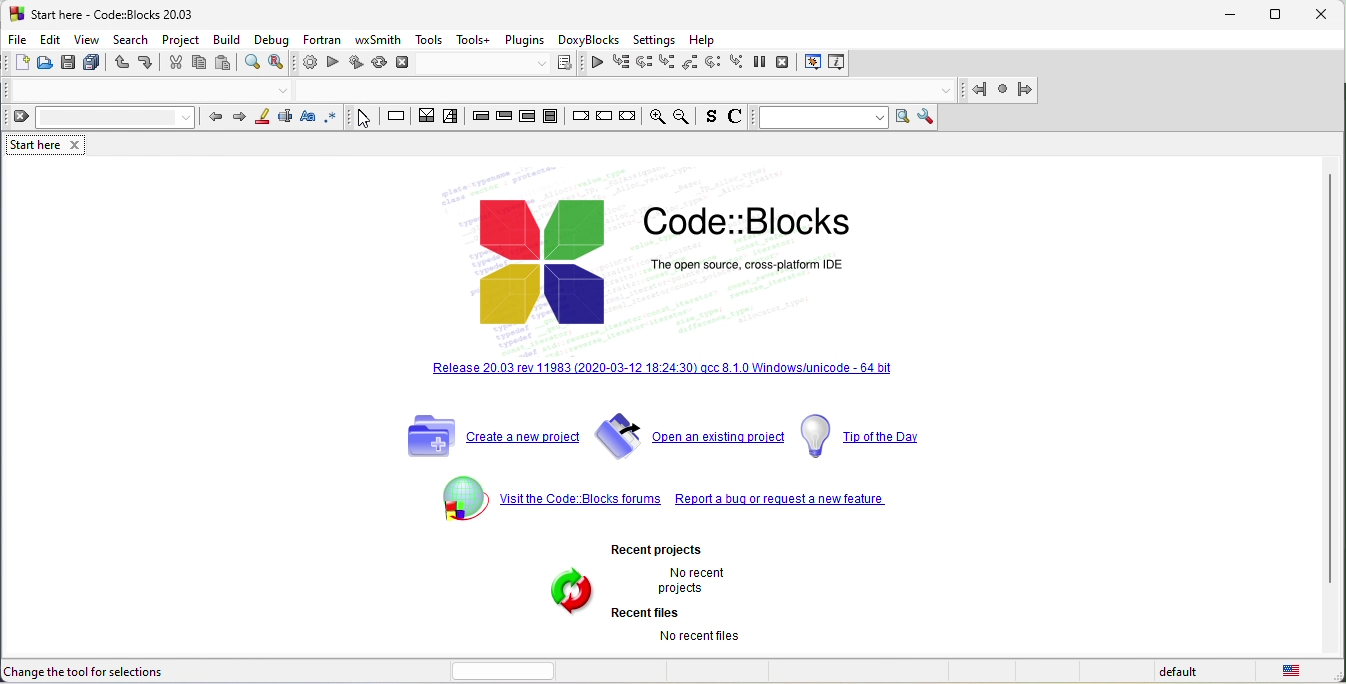  Describe the element at coordinates (358, 64) in the screenshot. I see `build and run` at that location.